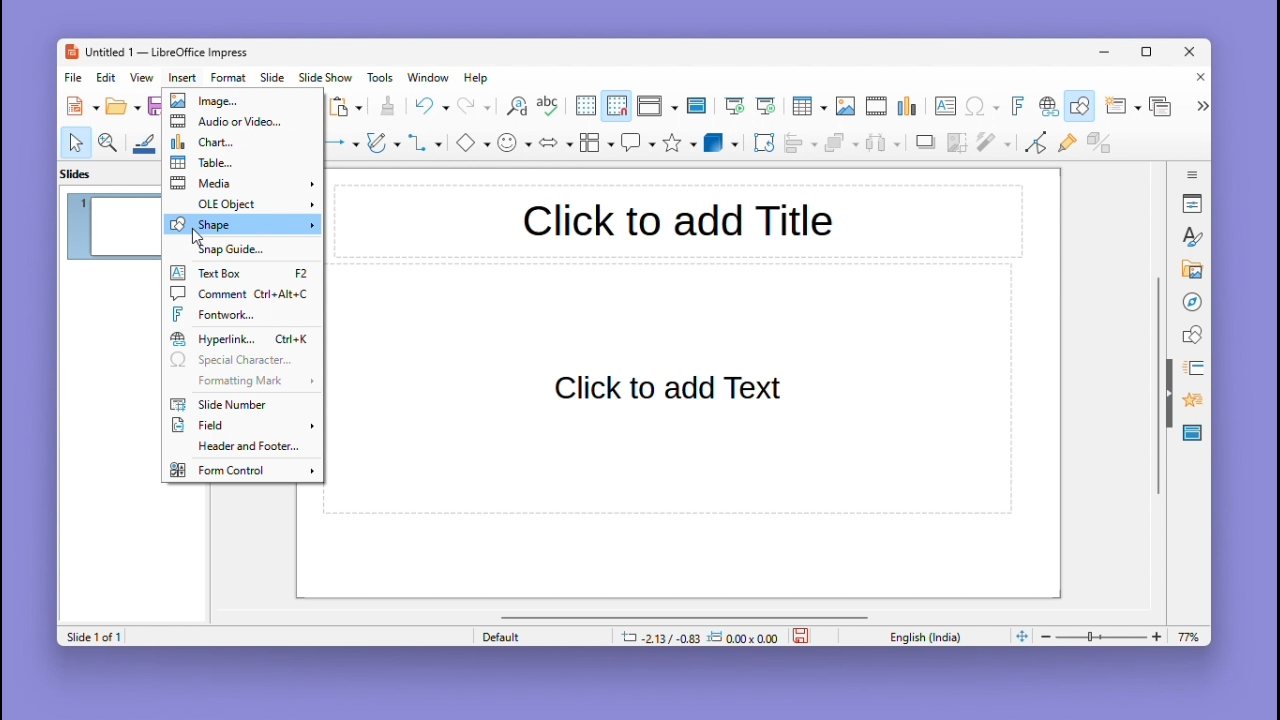 The width and height of the screenshot is (1280, 720). I want to click on Text box, so click(945, 106).